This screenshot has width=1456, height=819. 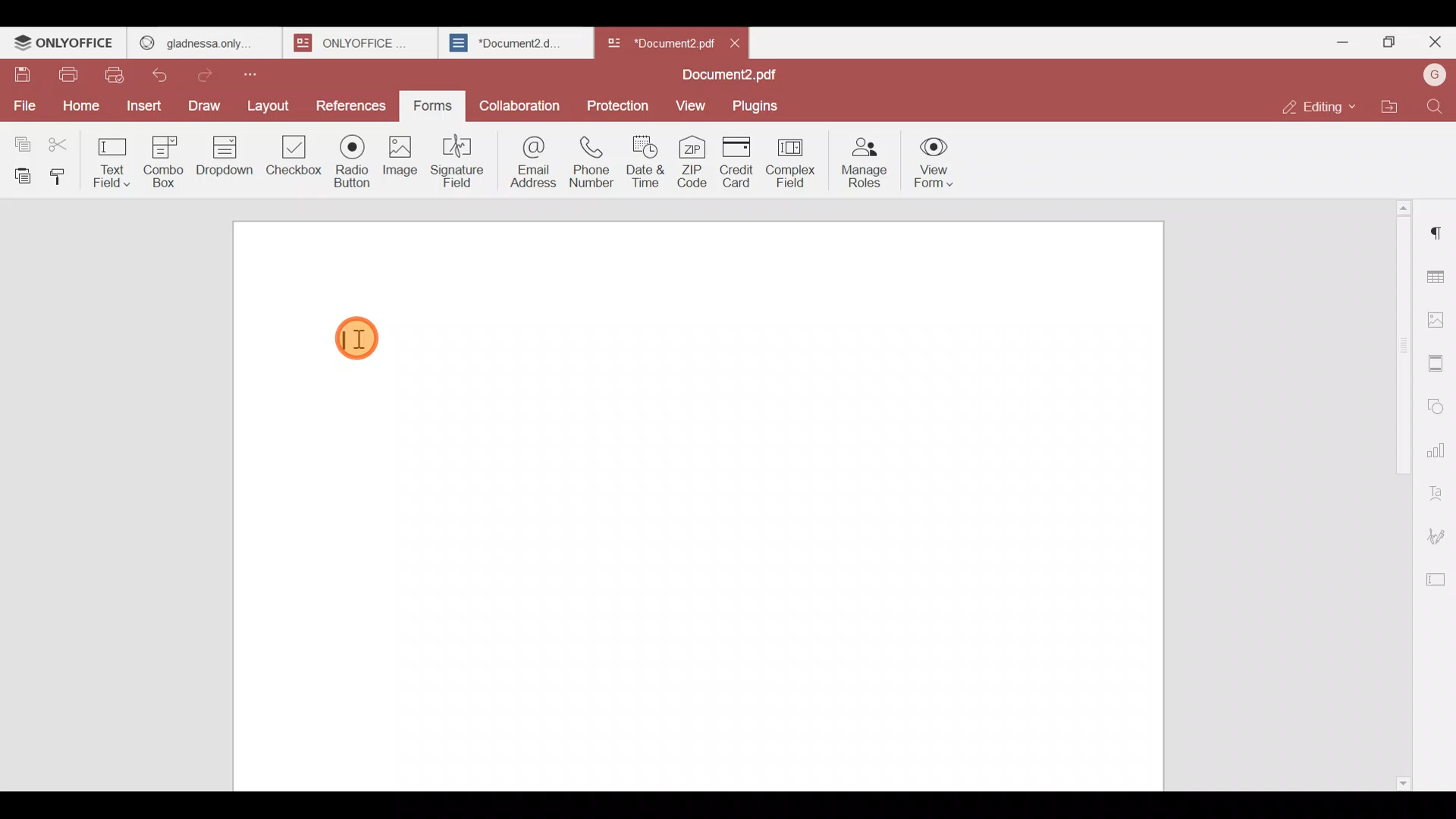 I want to click on *Document2.d.., so click(x=507, y=41).